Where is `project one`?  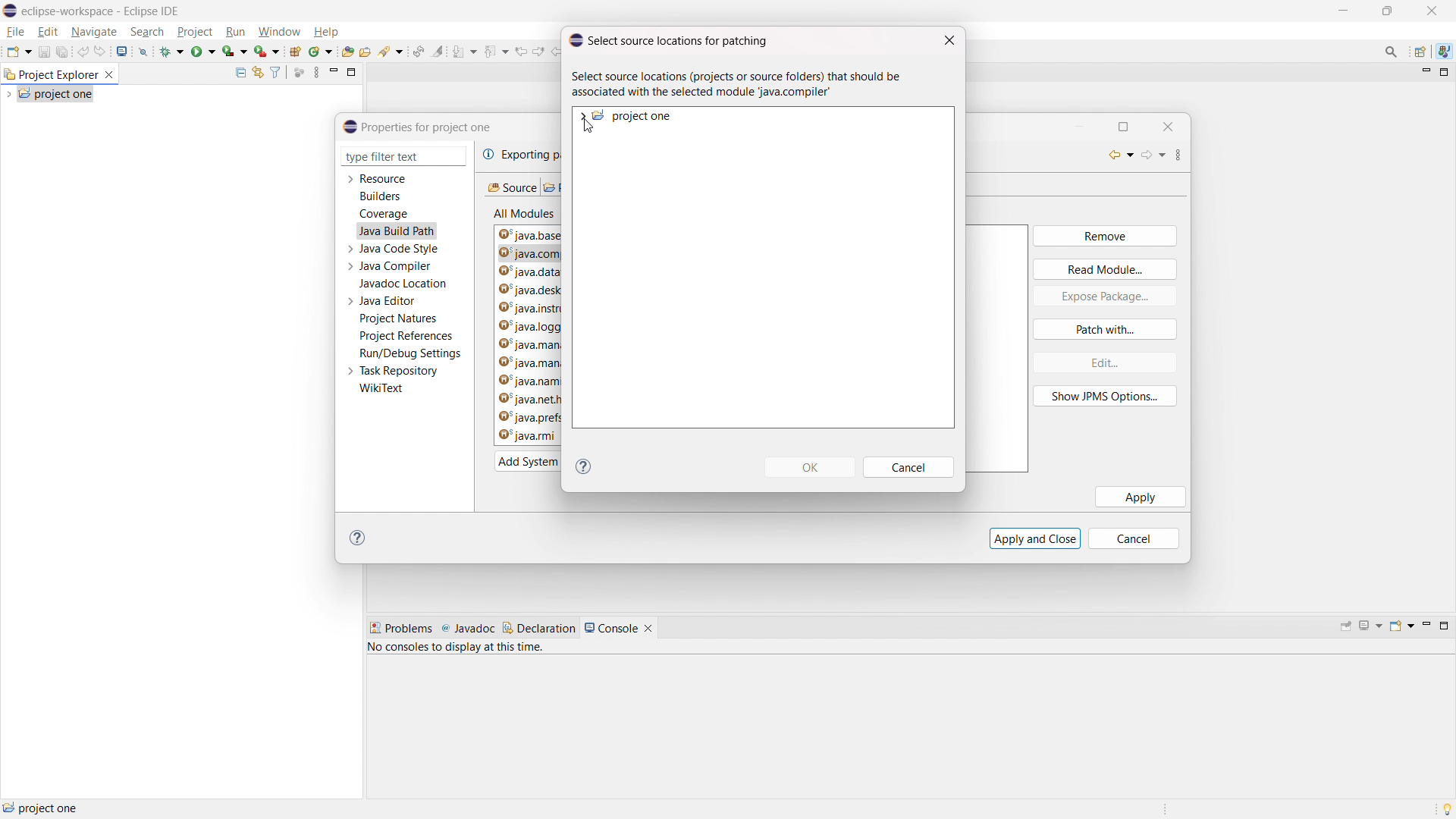
project one is located at coordinates (42, 808).